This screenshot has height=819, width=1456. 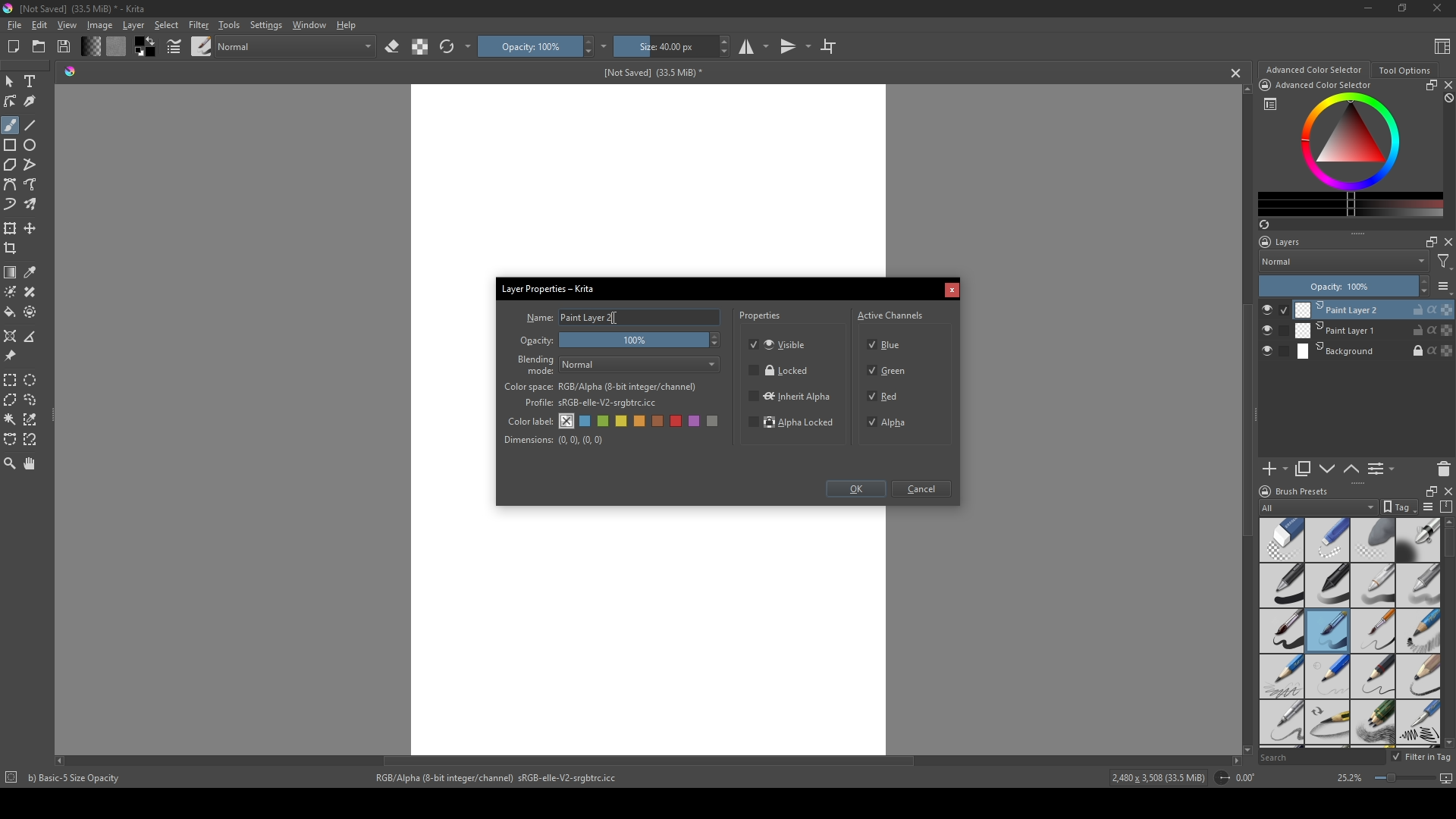 What do you see at coordinates (1313, 70) in the screenshot?
I see `Advanced color selector` at bounding box center [1313, 70].